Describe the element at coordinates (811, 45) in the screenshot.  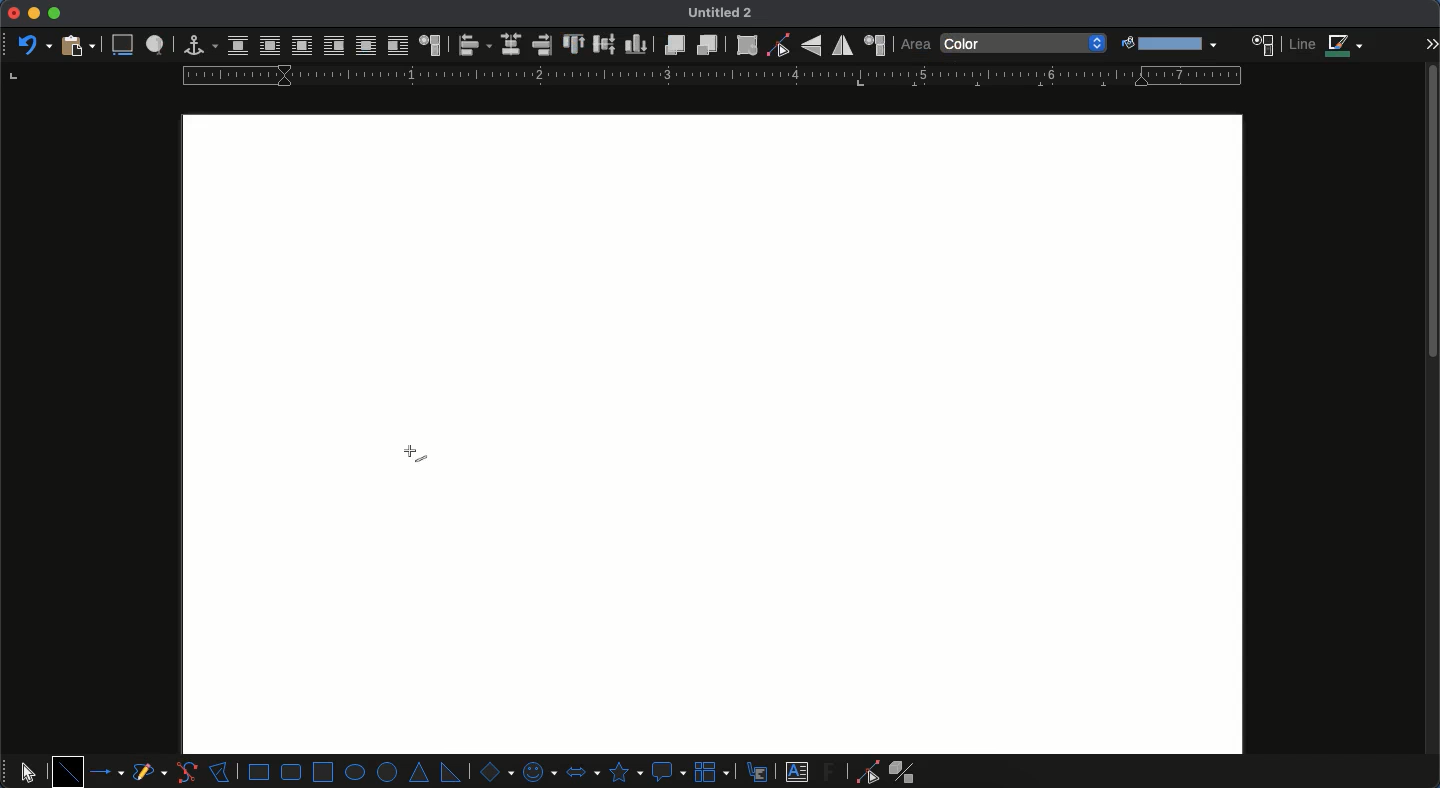
I see `flip vertically` at that location.